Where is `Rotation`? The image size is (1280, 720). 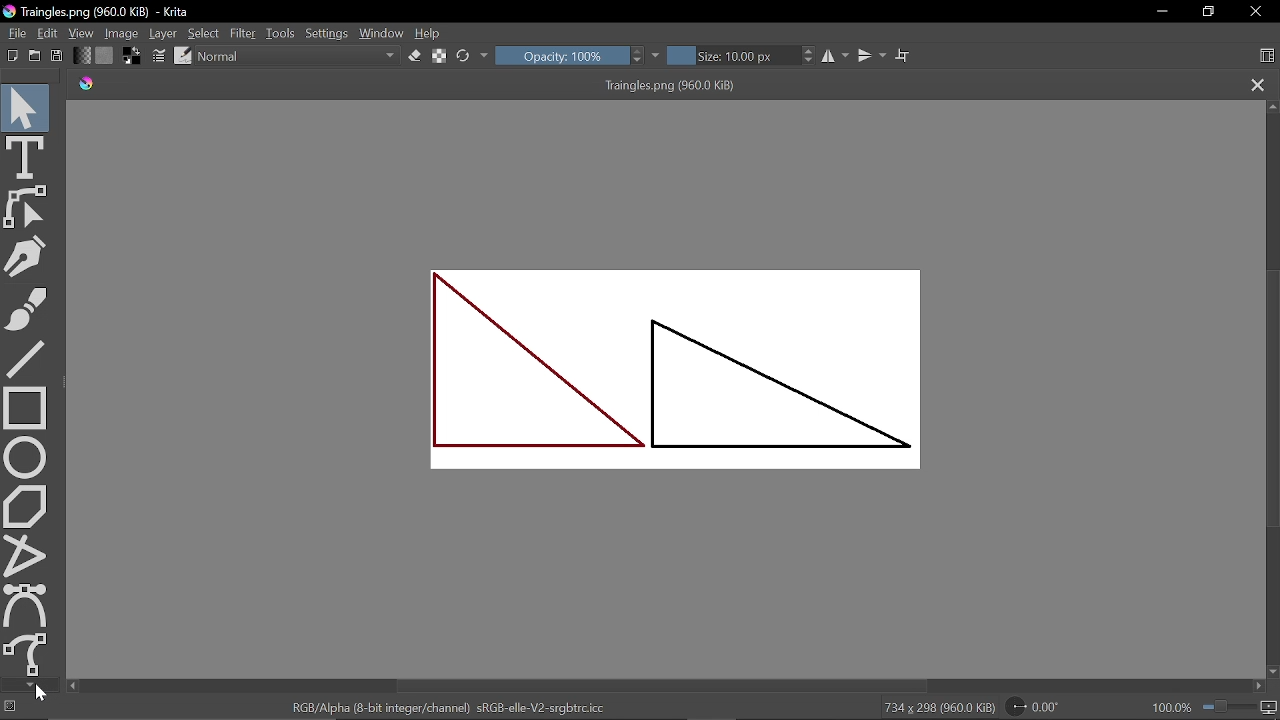
Rotation is located at coordinates (1039, 707).